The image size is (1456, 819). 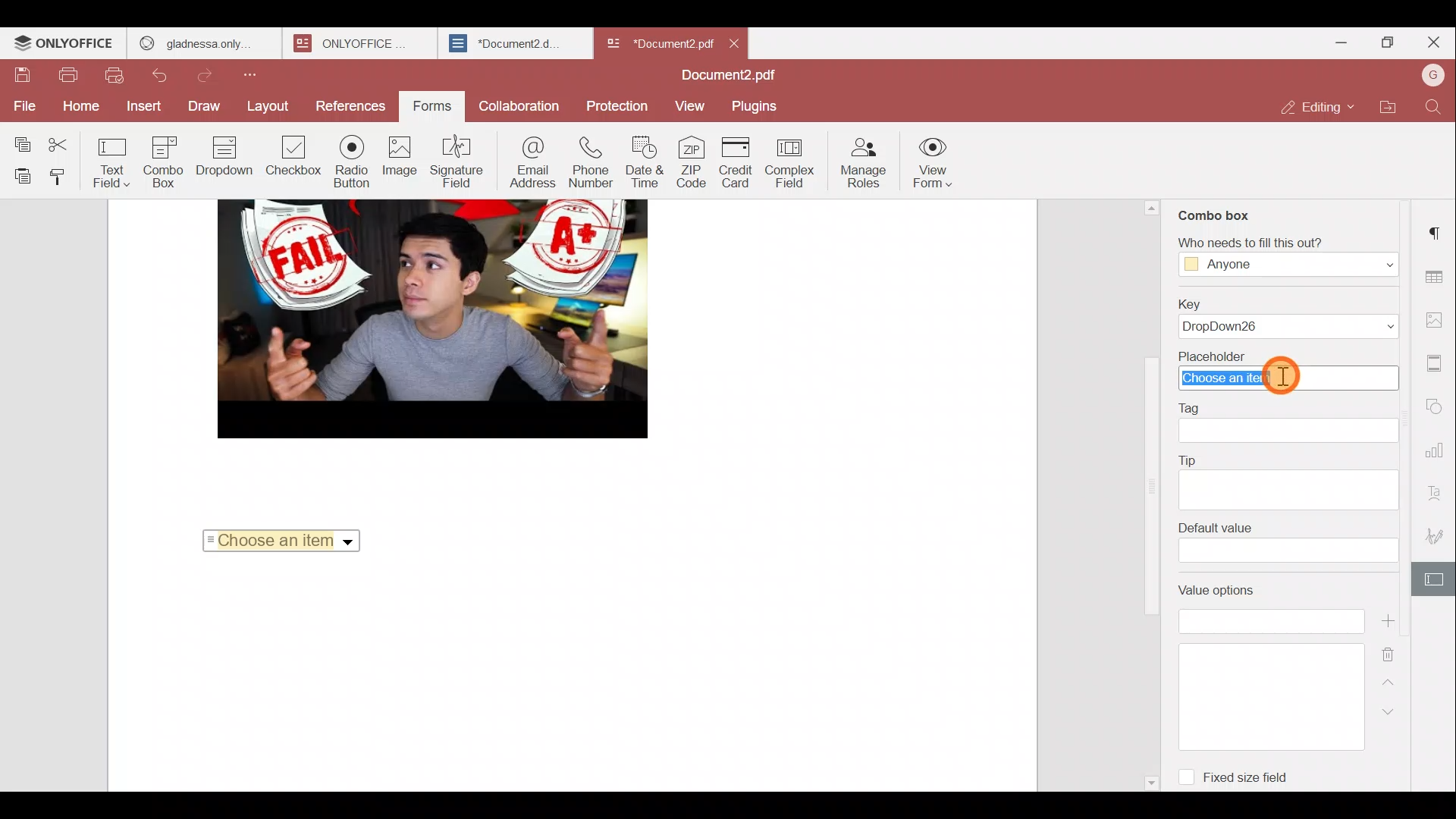 What do you see at coordinates (284, 539) in the screenshot?
I see `Choose an item` at bounding box center [284, 539].